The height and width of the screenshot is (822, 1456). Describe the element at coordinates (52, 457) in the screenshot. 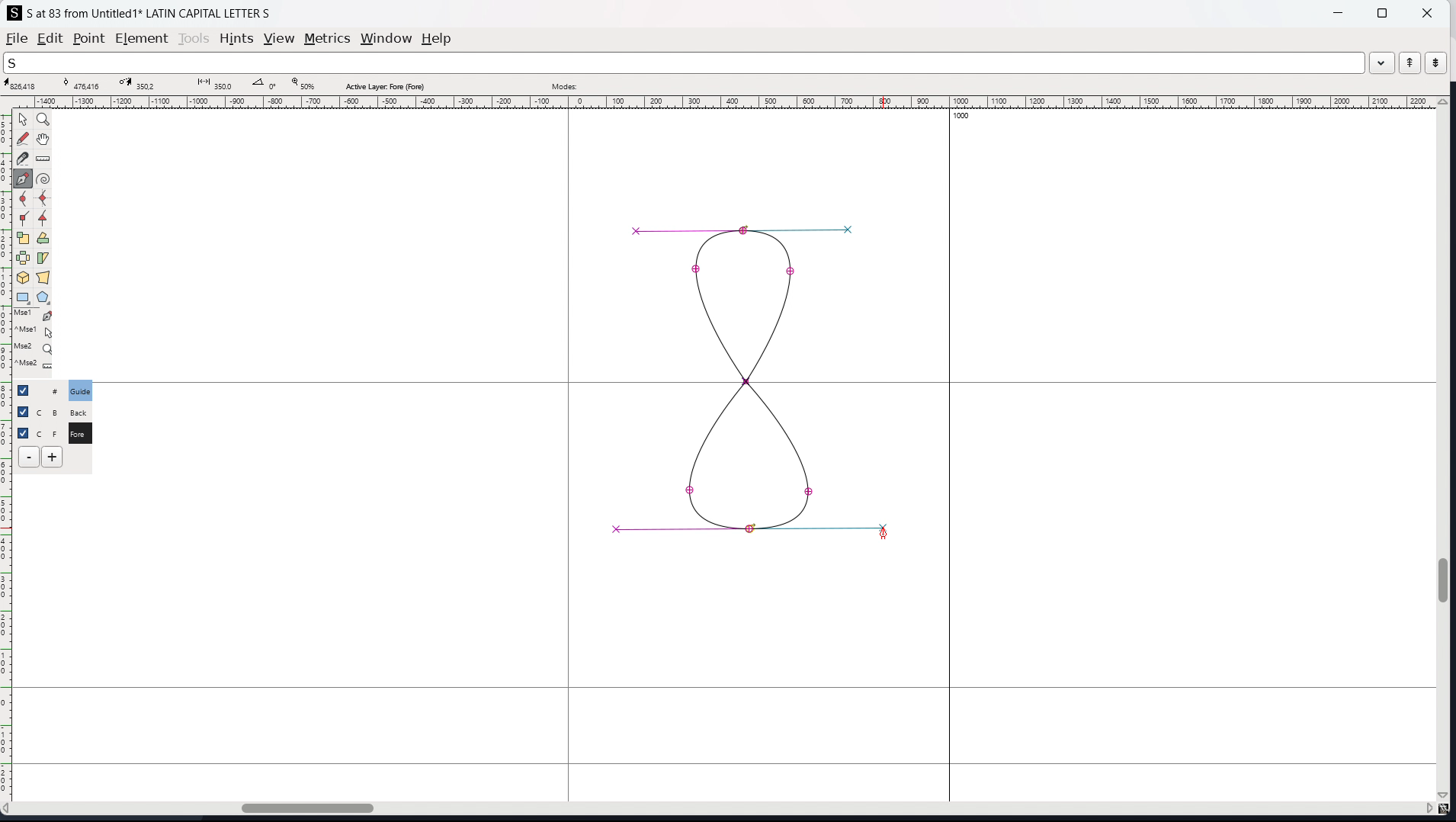

I see `add layers` at that location.